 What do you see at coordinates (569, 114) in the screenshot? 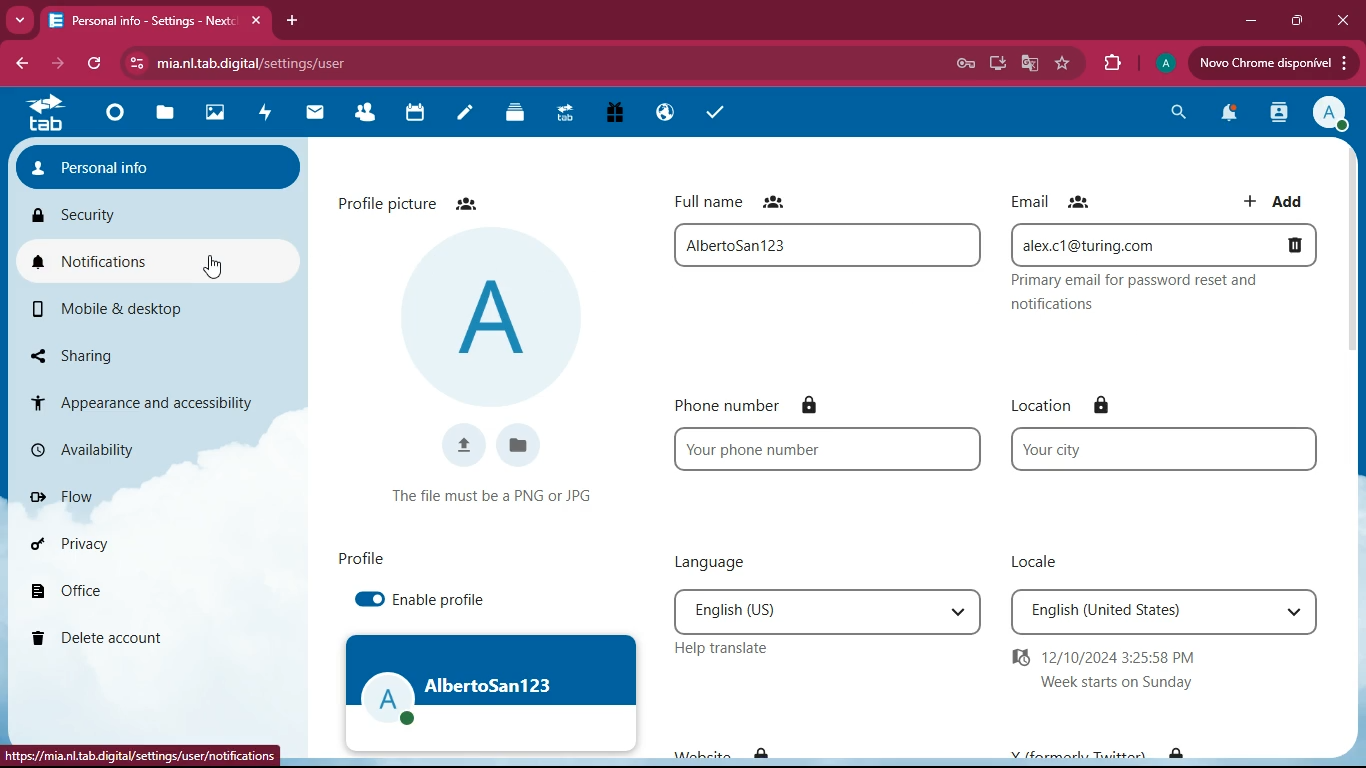
I see `tab` at bounding box center [569, 114].